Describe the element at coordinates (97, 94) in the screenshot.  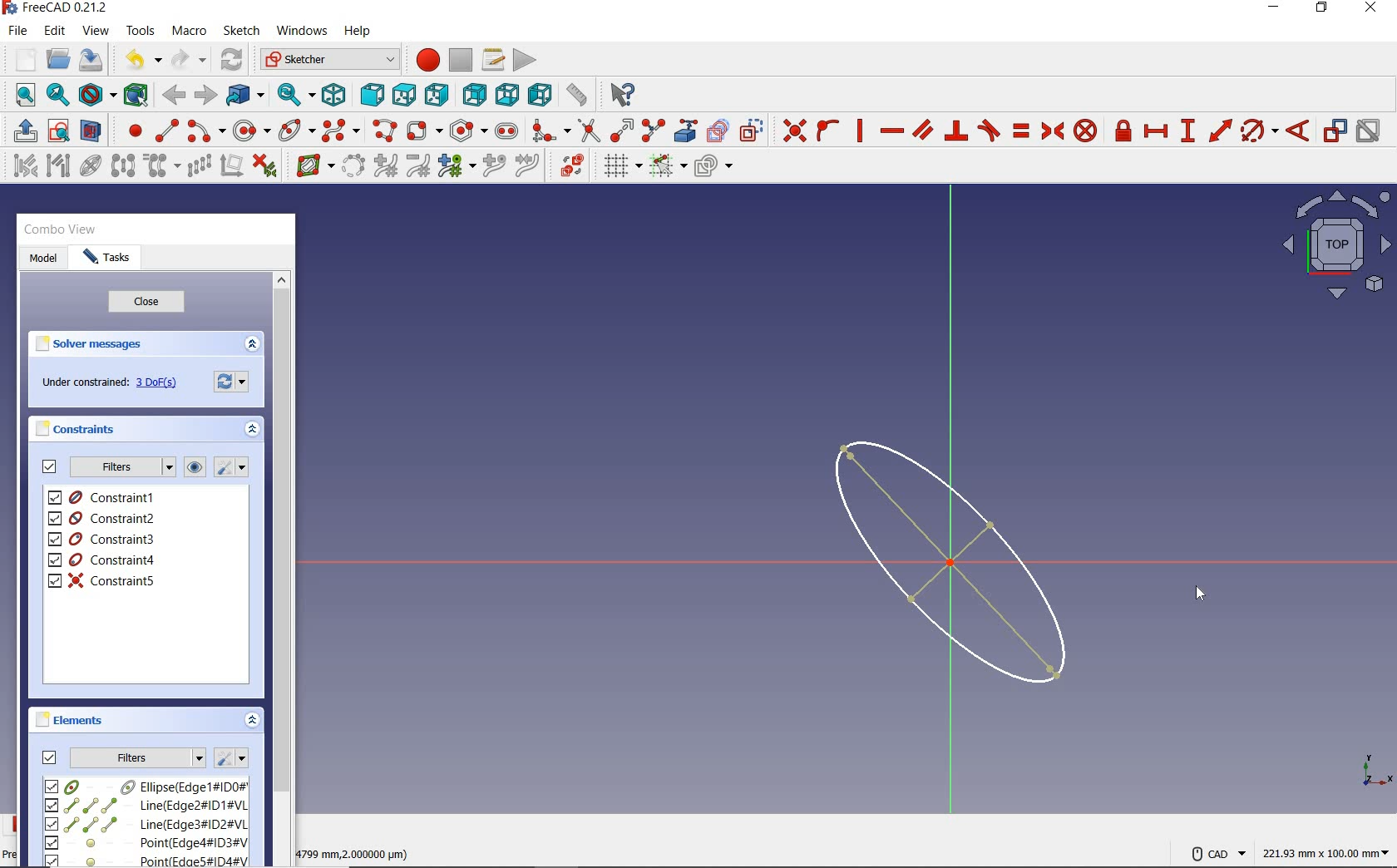
I see `draw style` at that location.